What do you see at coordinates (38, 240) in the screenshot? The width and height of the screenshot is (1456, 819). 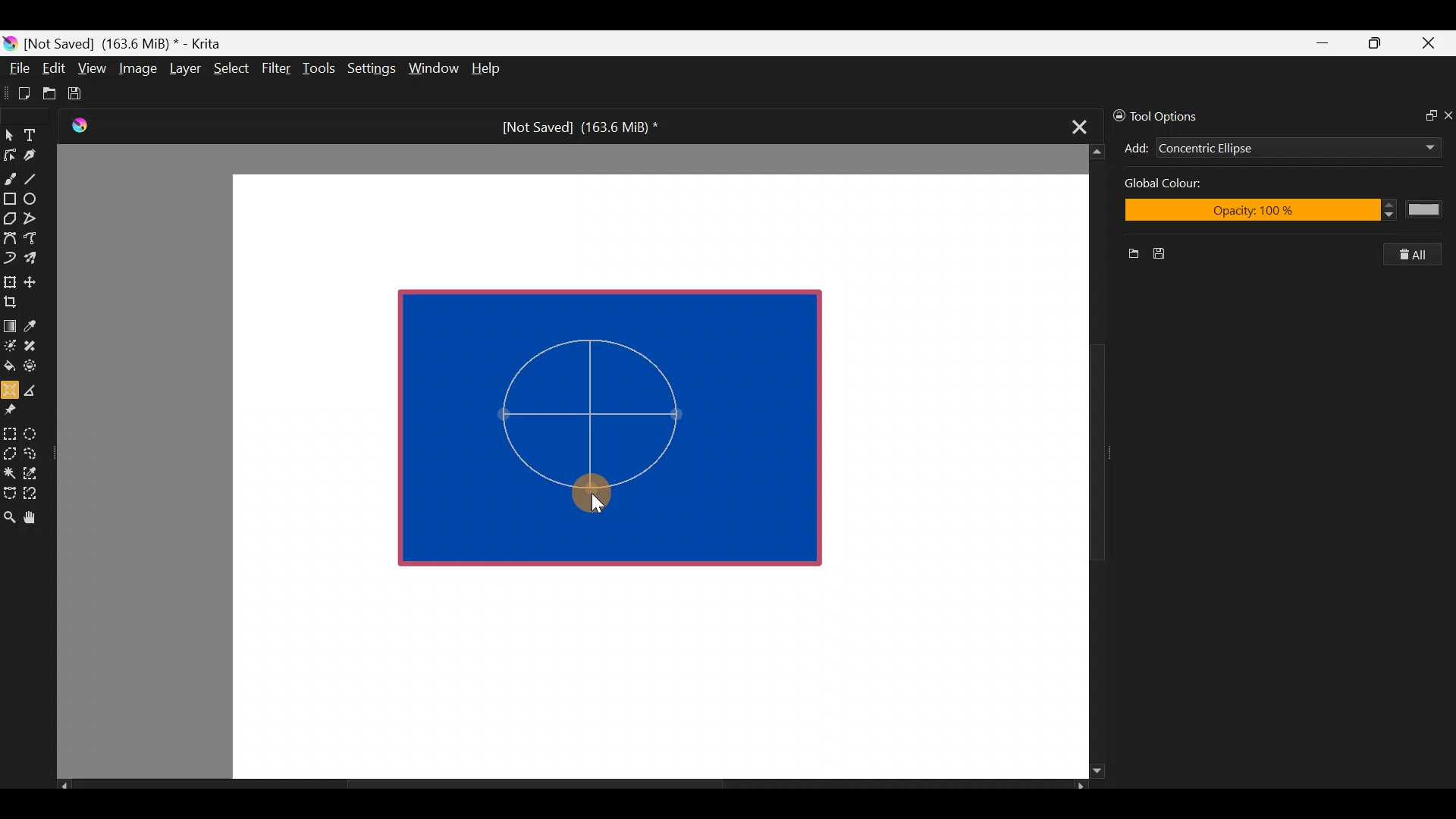 I see `Freehand path tool` at bounding box center [38, 240].